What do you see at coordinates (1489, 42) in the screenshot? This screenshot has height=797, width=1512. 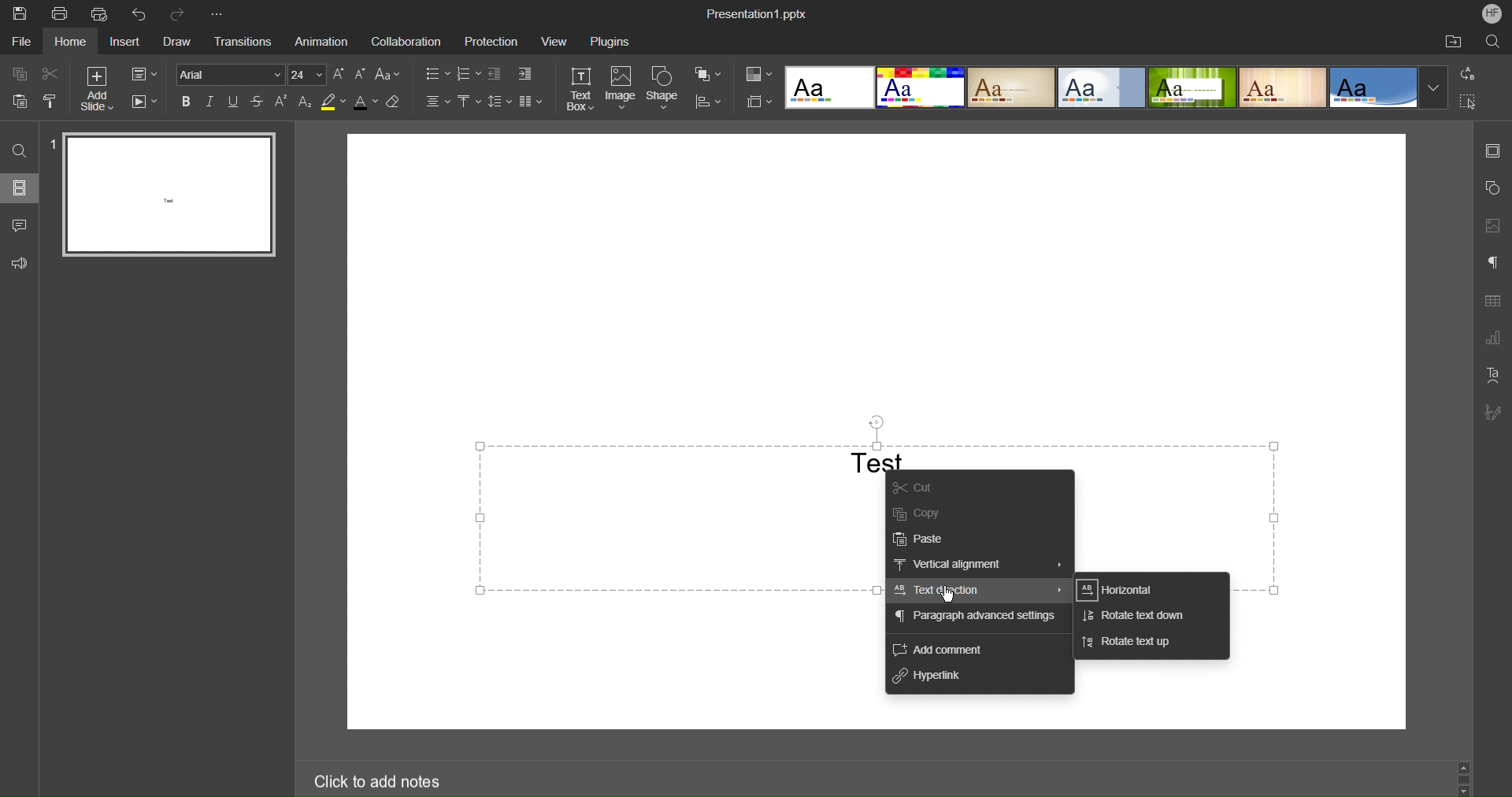 I see `Search` at bounding box center [1489, 42].